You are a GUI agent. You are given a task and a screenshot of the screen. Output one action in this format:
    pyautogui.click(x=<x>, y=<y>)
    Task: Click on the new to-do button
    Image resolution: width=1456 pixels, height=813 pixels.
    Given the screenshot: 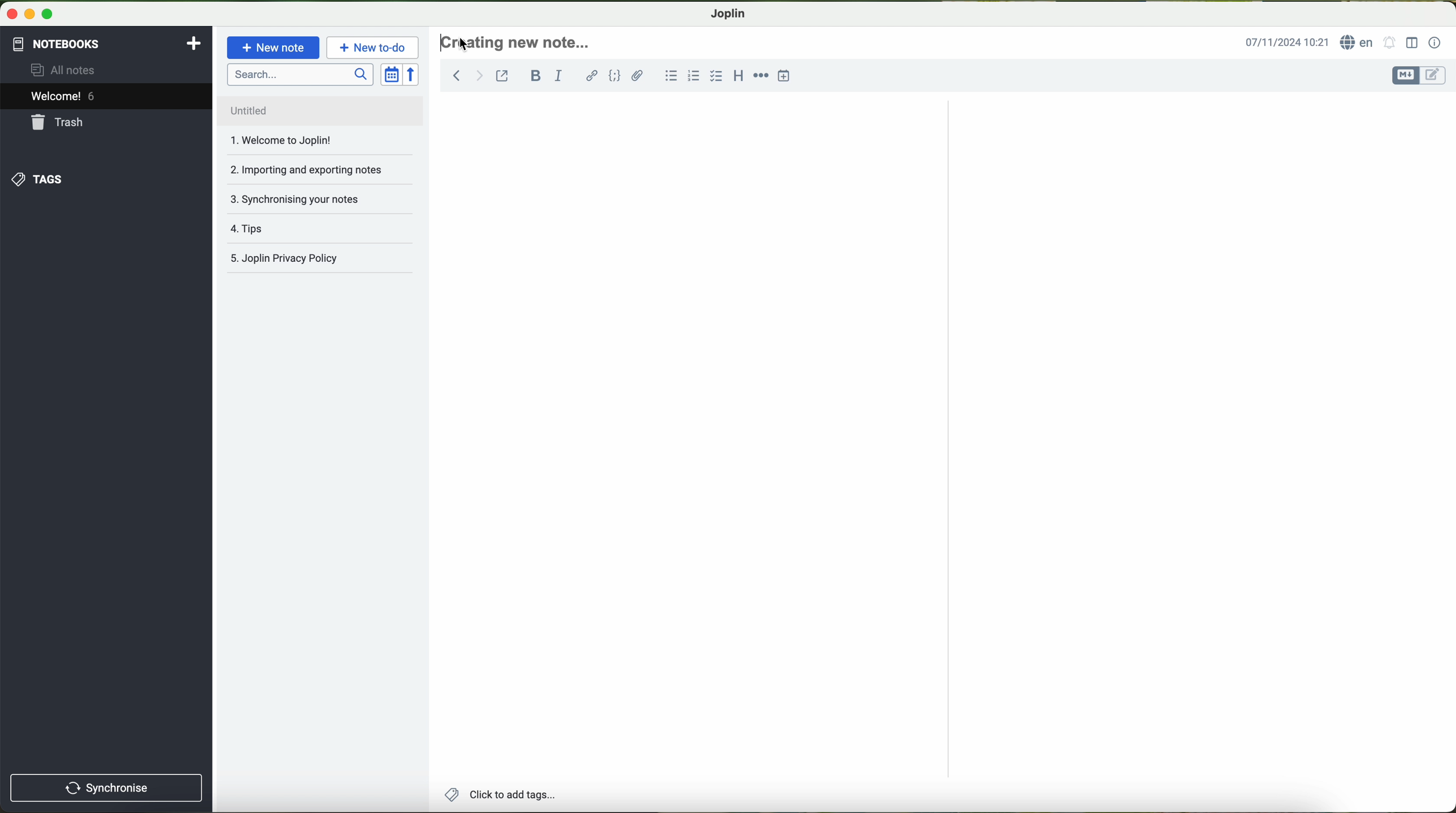 What is the action you would take?
    pyautogui.click(x=372, y=47)
    